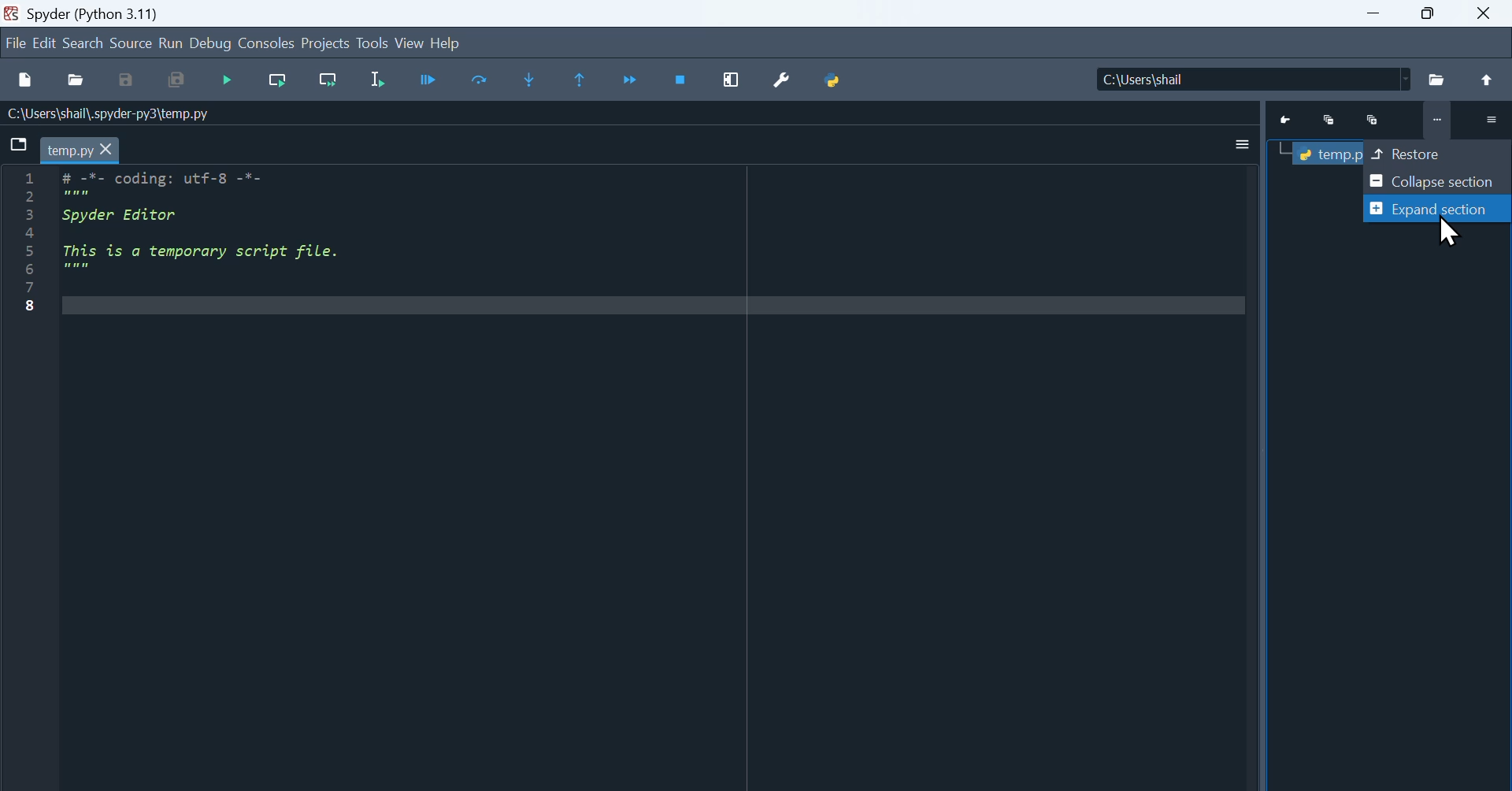 Image resolution: width=1512 pixels, height=791 pixels. What do you see at coordinates (529, 81) in the screenshot?
I see `Step into function or method` at bounding box center [529, 81].